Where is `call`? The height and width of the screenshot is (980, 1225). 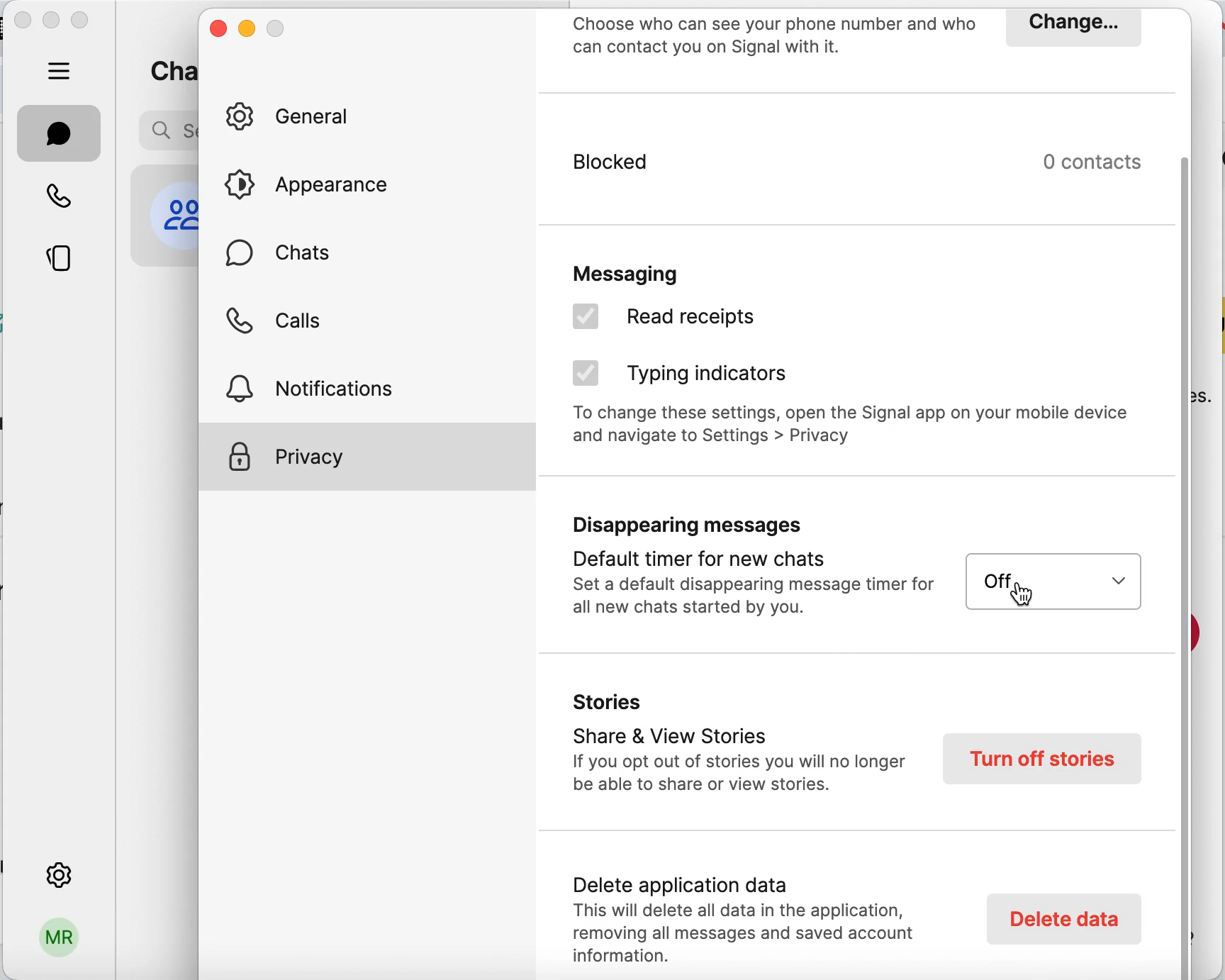
call is located at coordinates (60, 194).